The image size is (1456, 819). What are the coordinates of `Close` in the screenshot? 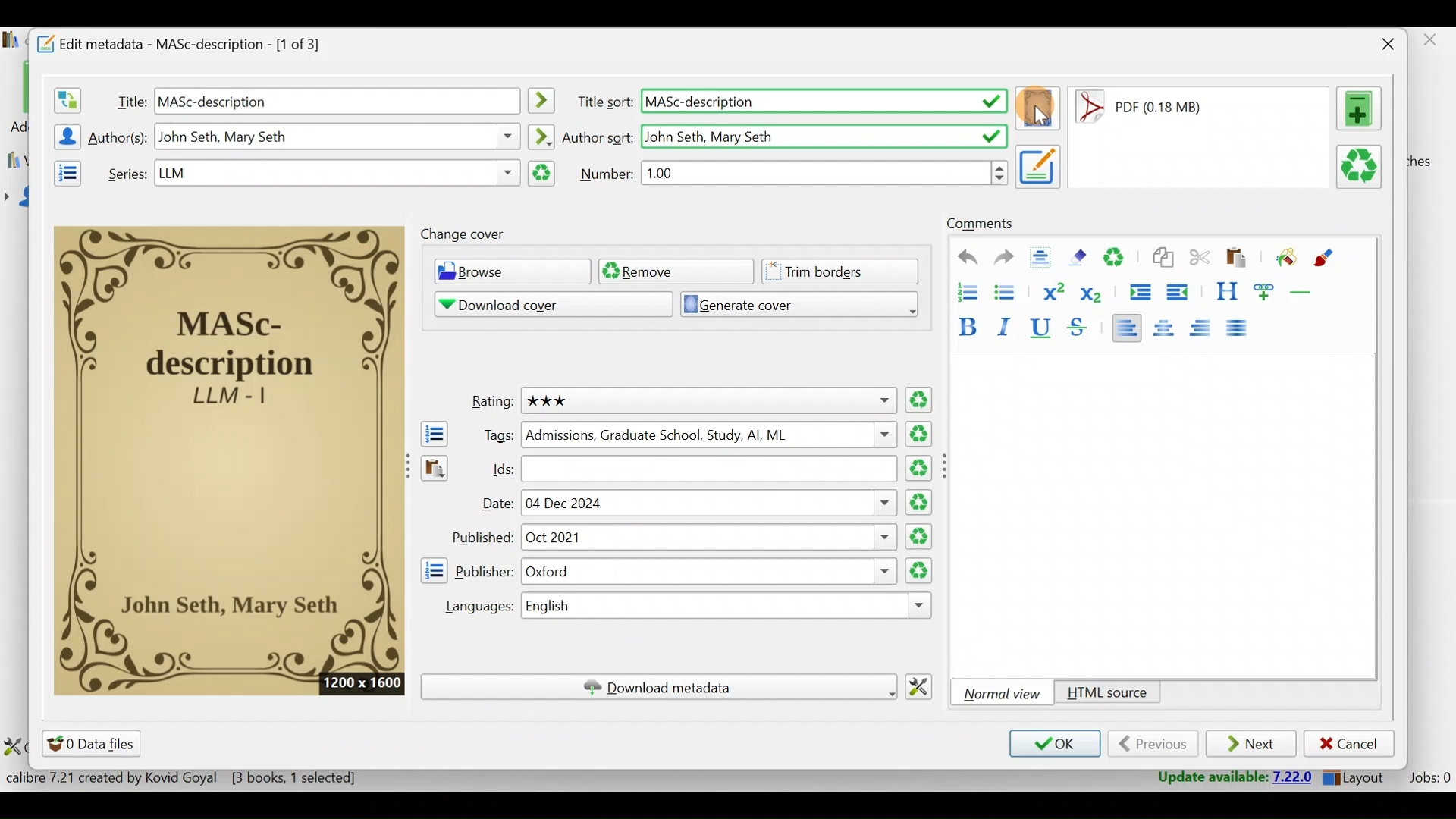 It's located at (1384, 44).